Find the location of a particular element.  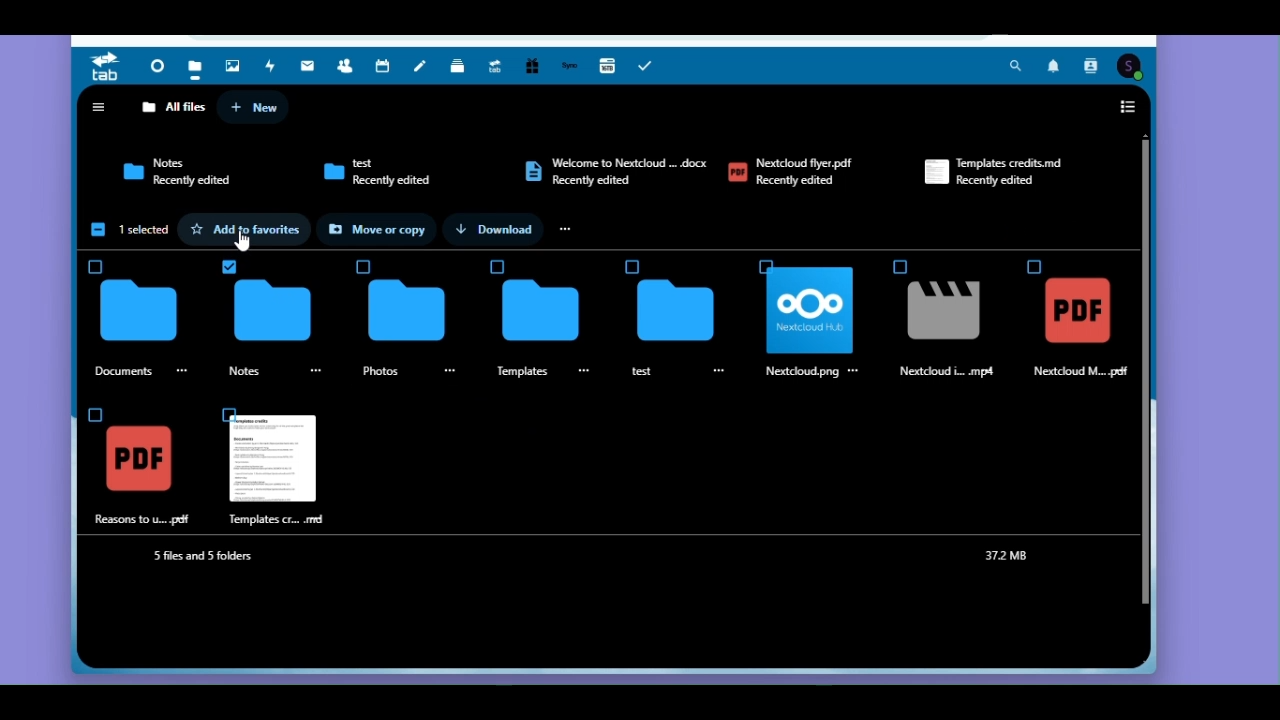

Templates cr... .md is located at coordinates (286, 519).